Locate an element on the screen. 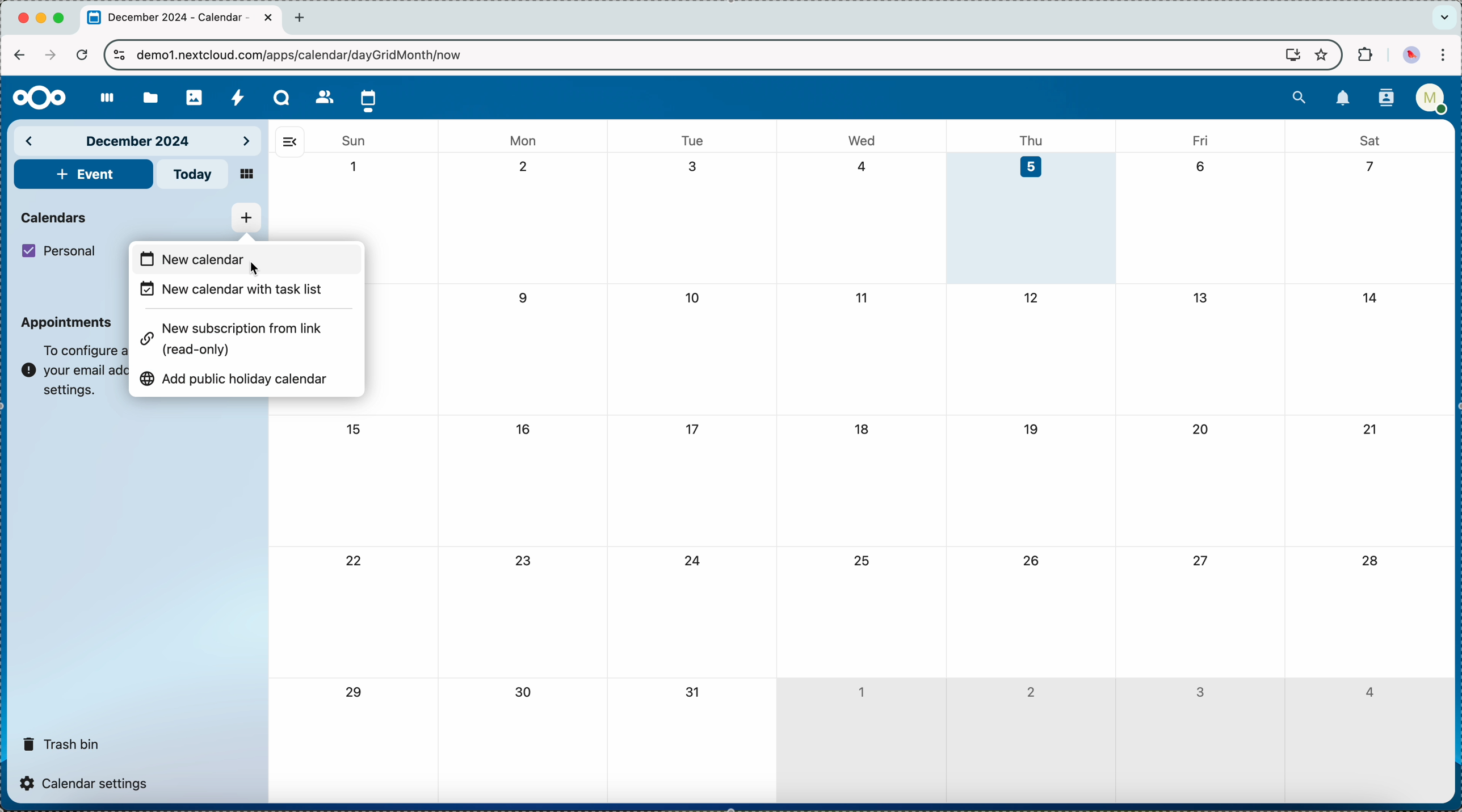 This screenshot has width=1462, height=812. sat is located at coordinates (1369, 140).